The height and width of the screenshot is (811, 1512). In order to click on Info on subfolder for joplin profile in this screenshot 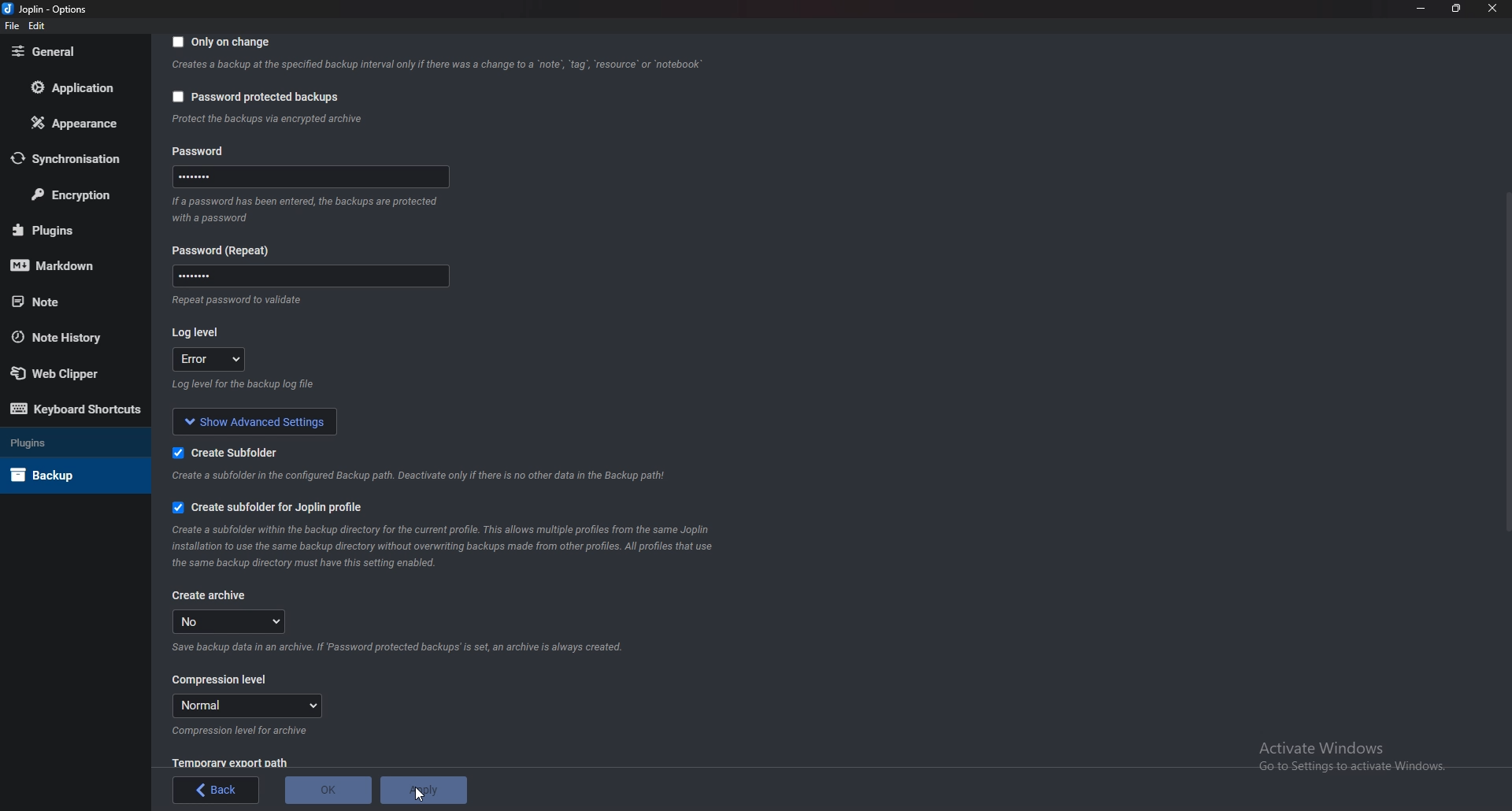, I will do `click(457, 546)`.